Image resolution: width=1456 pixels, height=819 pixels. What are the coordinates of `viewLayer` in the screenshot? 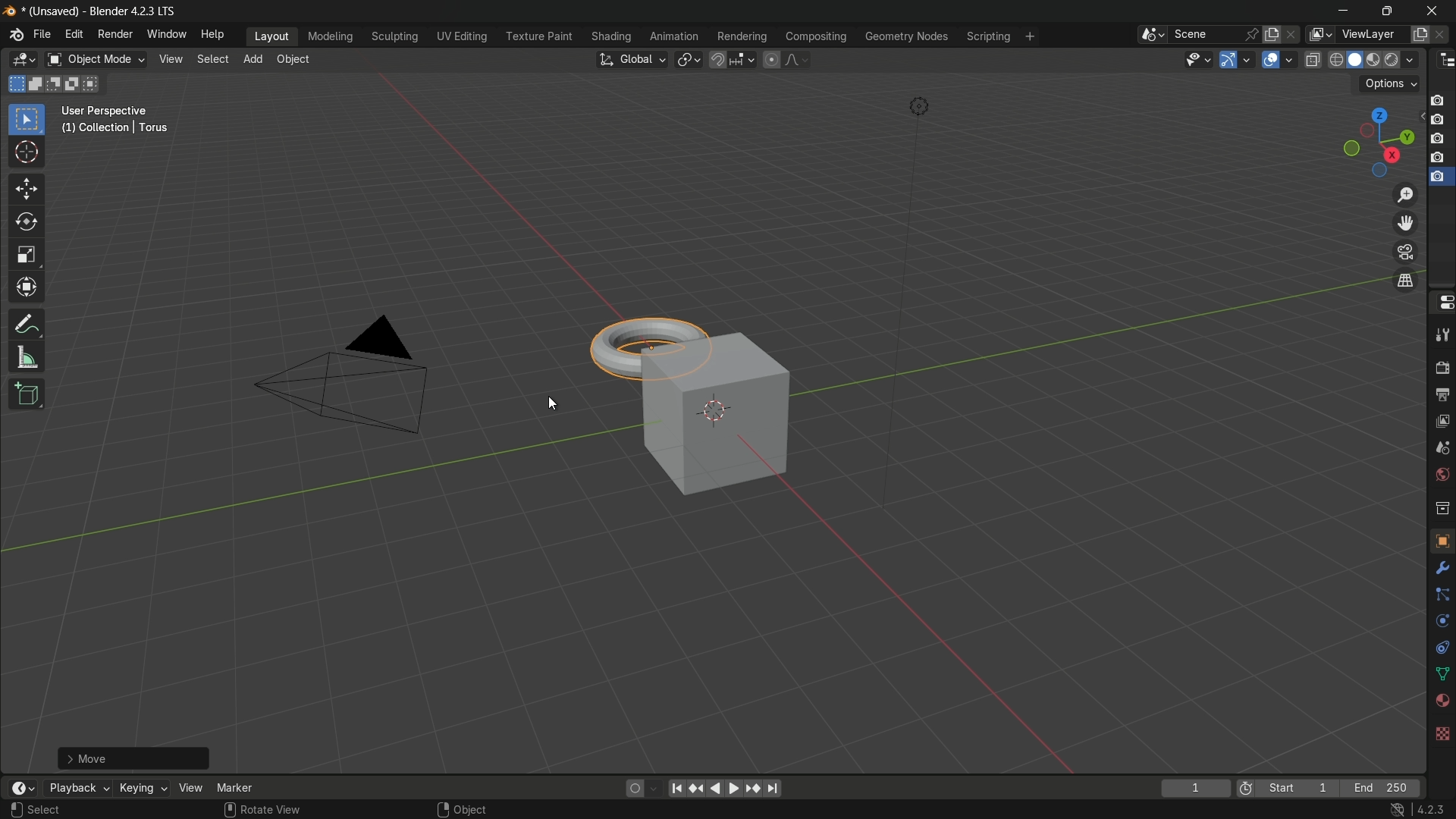 It's located at (1371, 34).